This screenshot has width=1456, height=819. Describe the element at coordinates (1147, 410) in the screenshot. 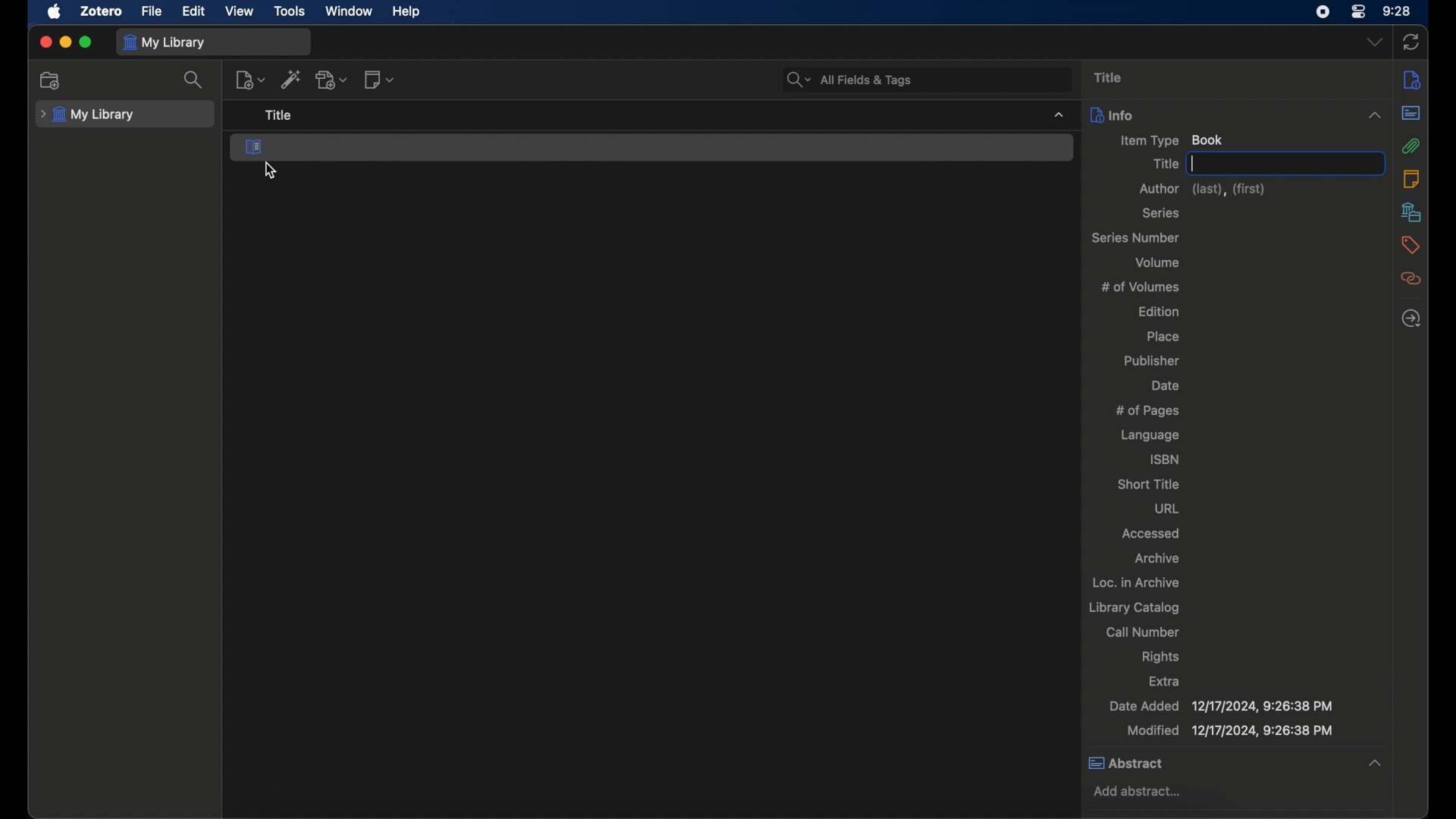

I see `no of pages` at that location.